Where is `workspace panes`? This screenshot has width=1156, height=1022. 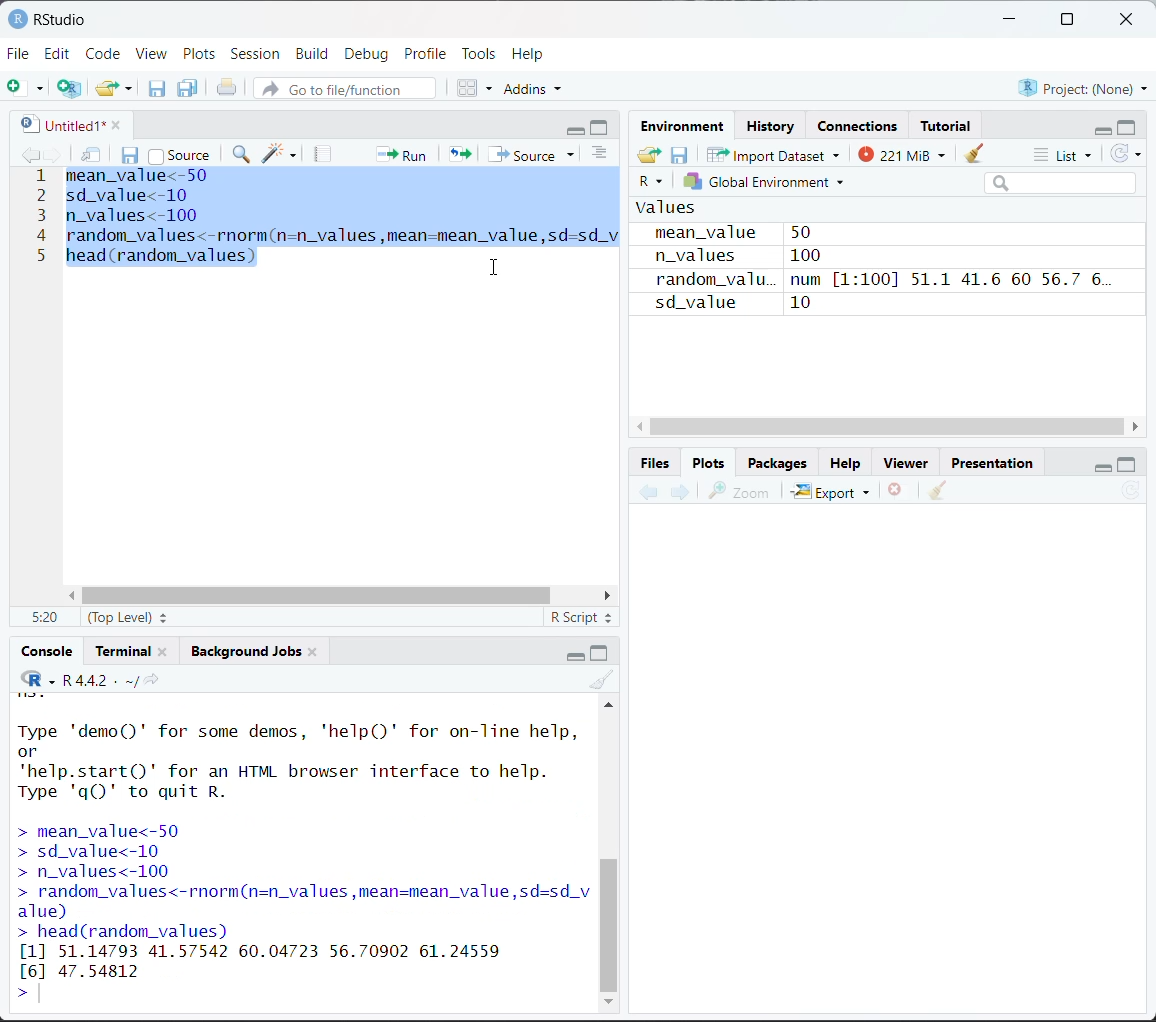
workspace panes is located at coordinates (476, 87).